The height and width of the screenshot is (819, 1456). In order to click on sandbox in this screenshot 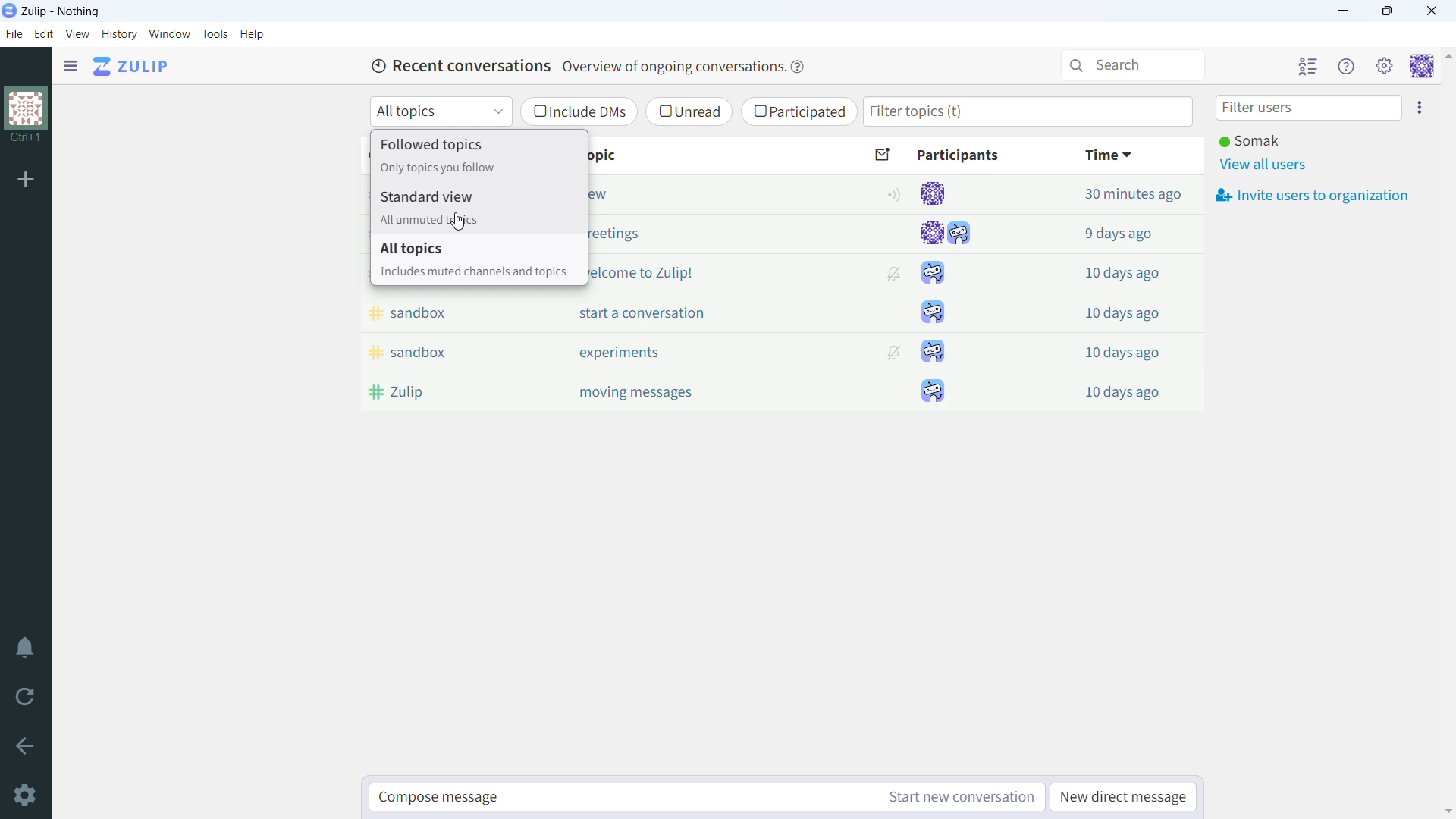, I will do `click(444, 352)`.